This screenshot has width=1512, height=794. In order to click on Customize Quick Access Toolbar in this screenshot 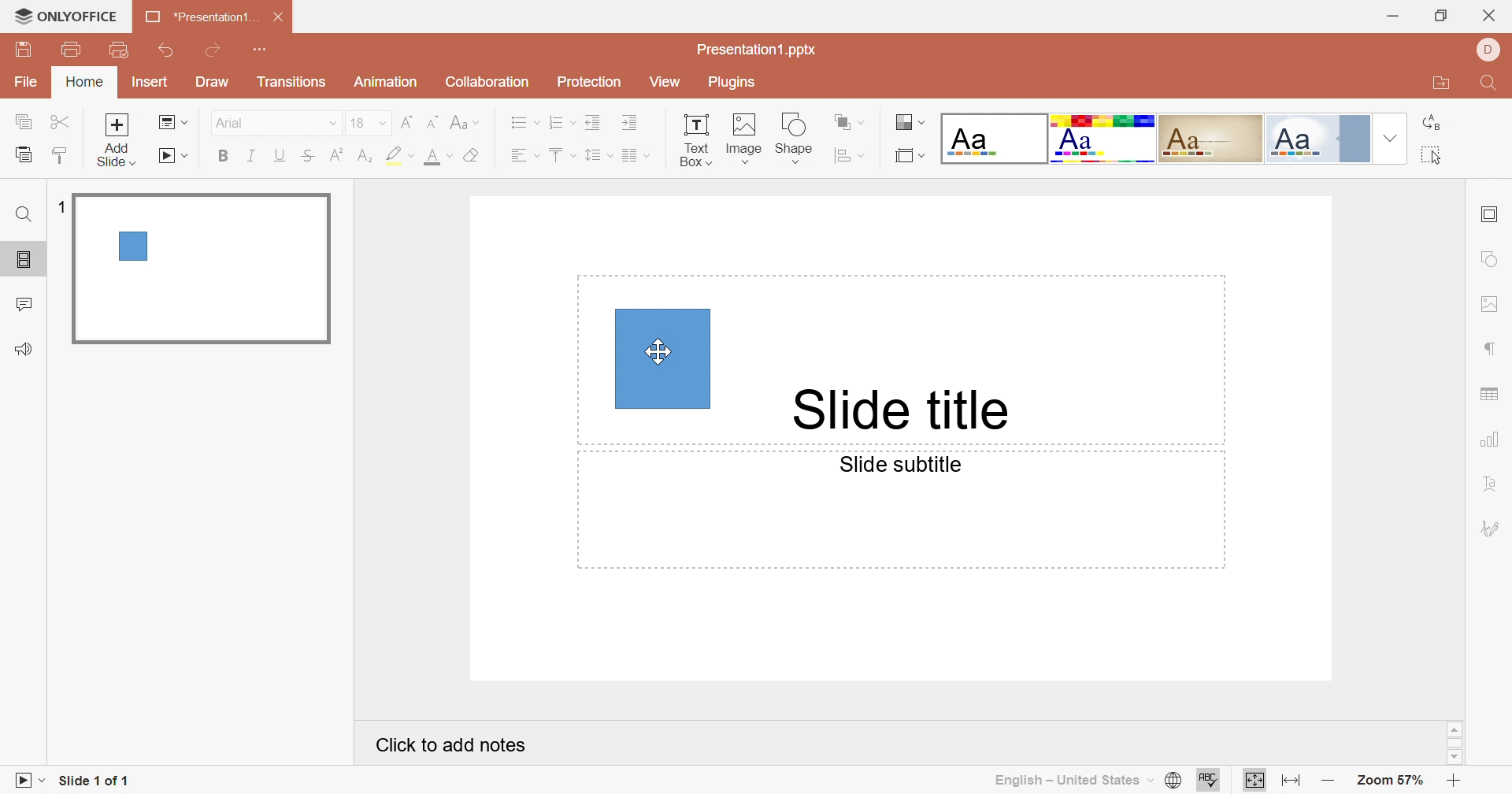, I will do `click(267, 51)`.